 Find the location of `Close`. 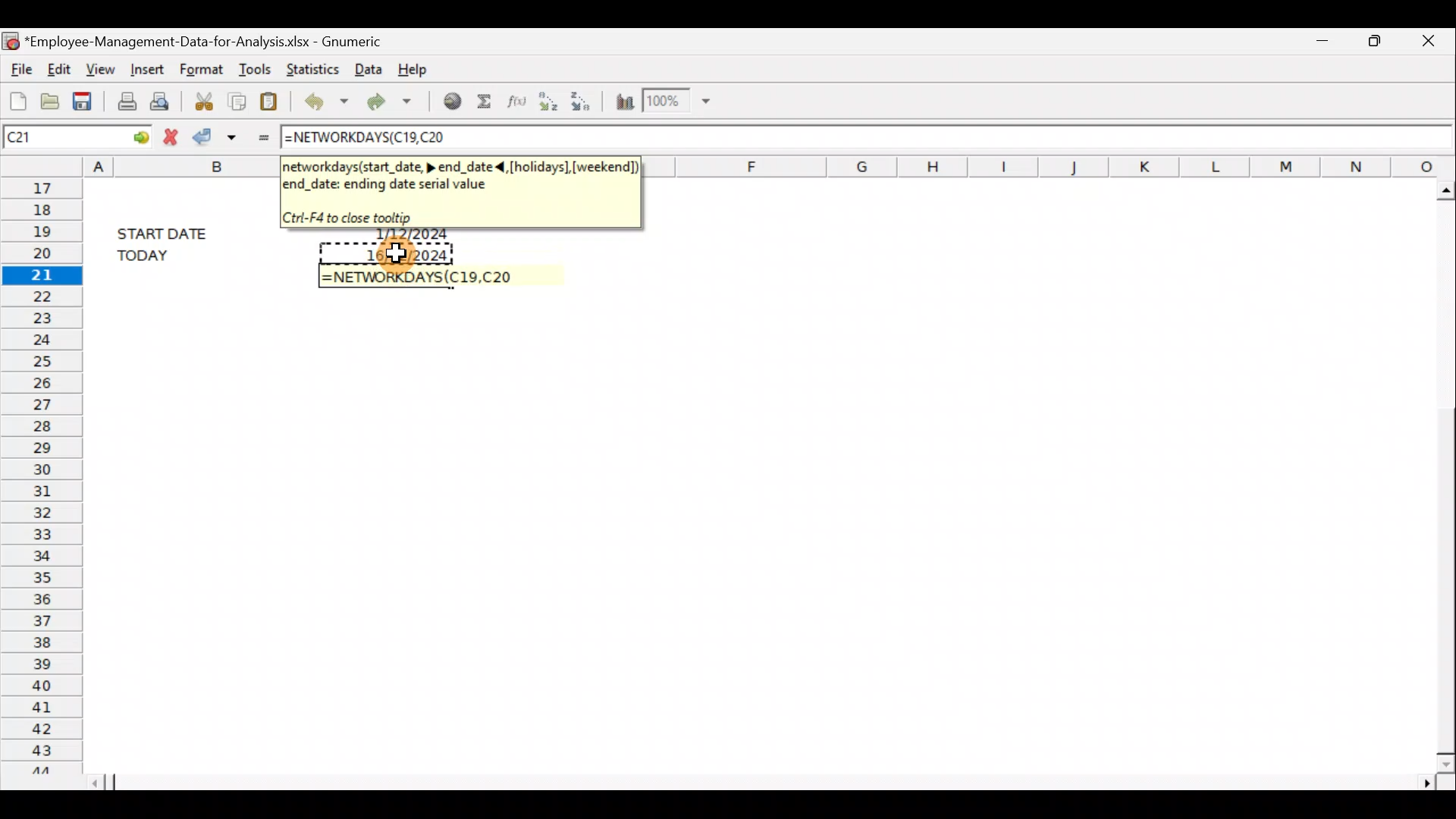

Close is located at coordinates (1425, 42).